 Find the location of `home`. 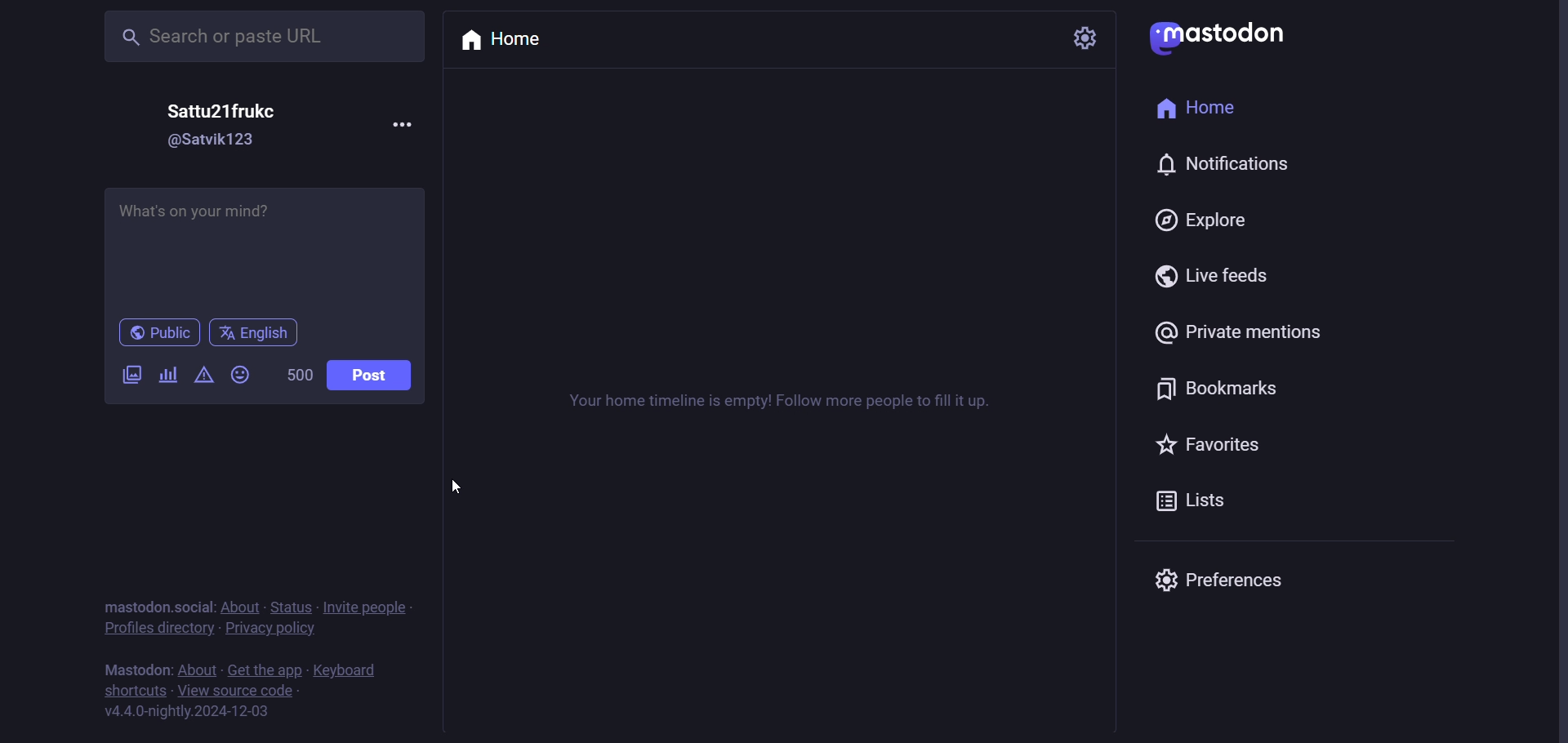

home is located at coordinates (505, 43).